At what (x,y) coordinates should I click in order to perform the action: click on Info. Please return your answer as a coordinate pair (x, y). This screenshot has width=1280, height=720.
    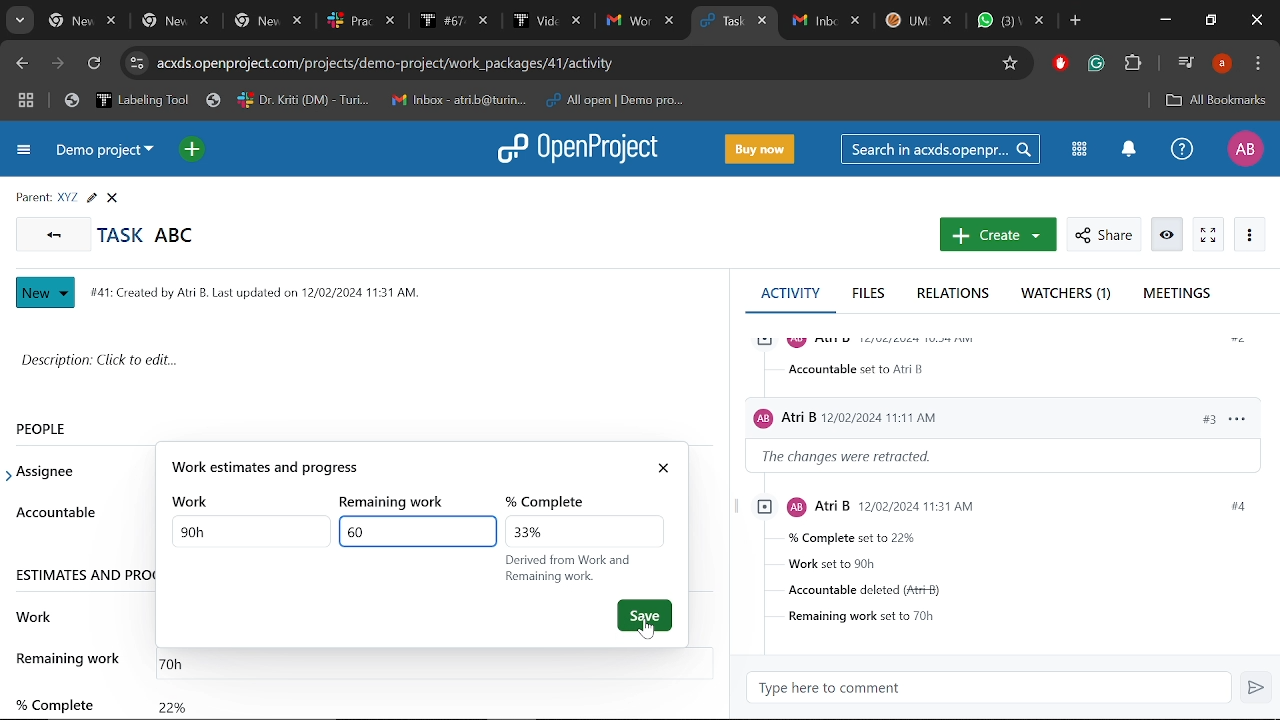
    Looking at the image, I should click on (1168, 235).